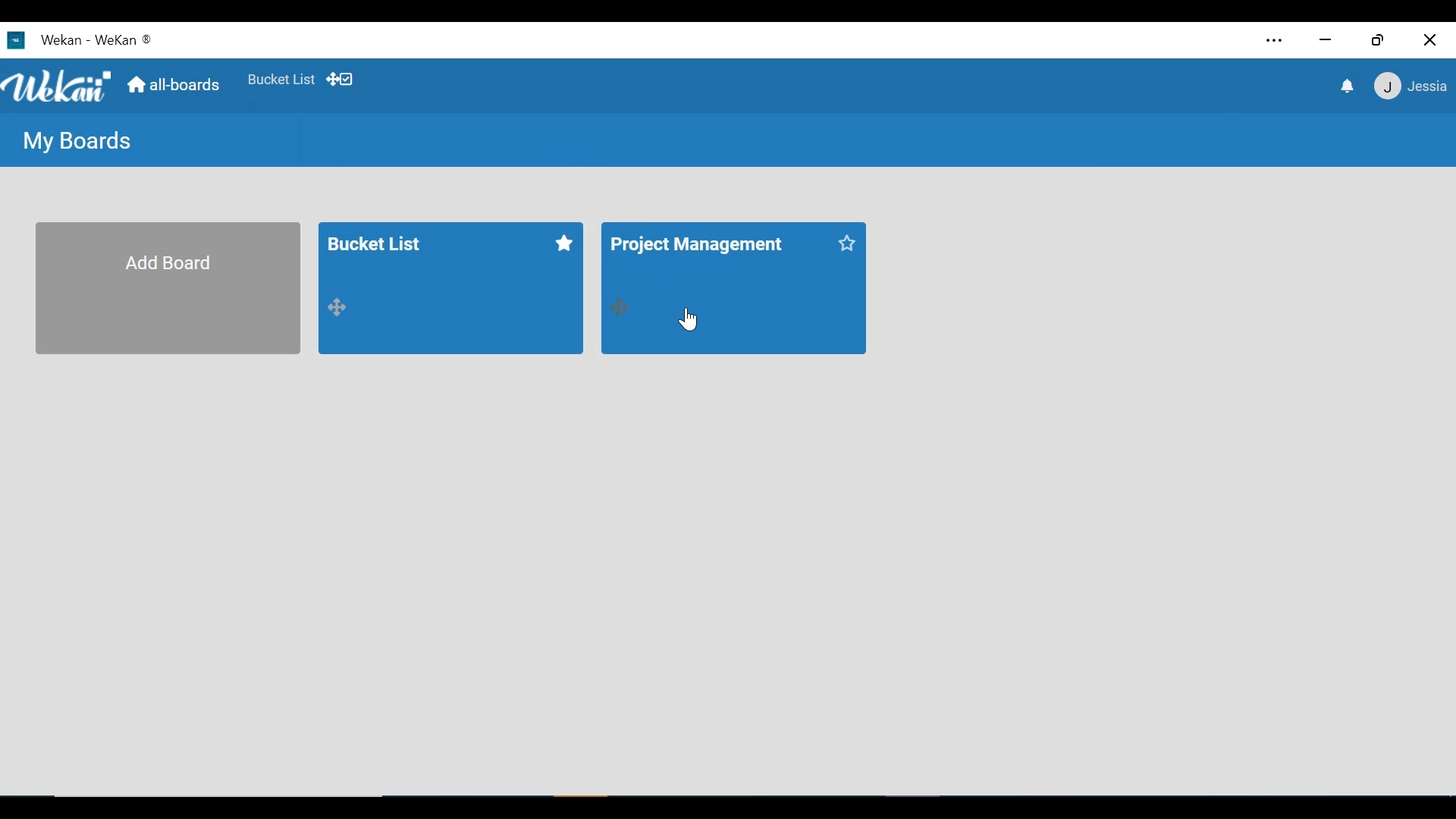 The width and height of the screenshot is (1456, 819). I want to click on minimize, so click(1323, 41).